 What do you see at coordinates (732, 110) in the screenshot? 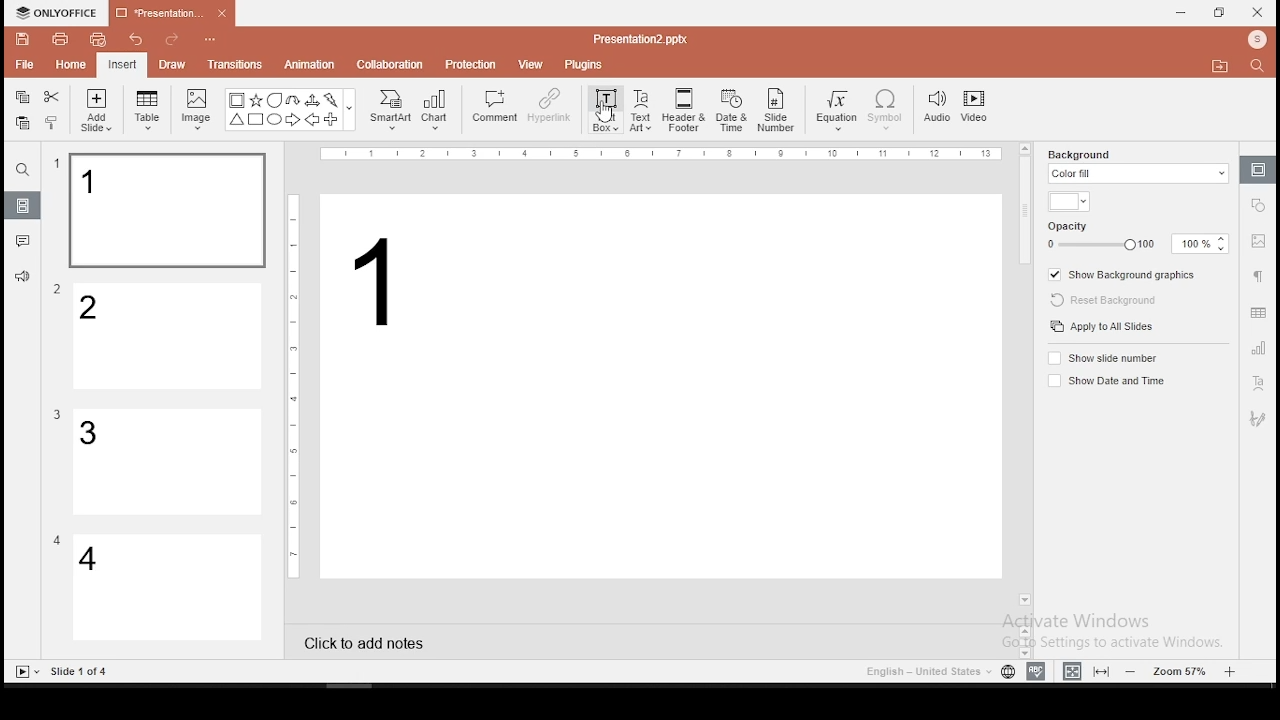
I see `date and time` at bounding box center [732, 110].